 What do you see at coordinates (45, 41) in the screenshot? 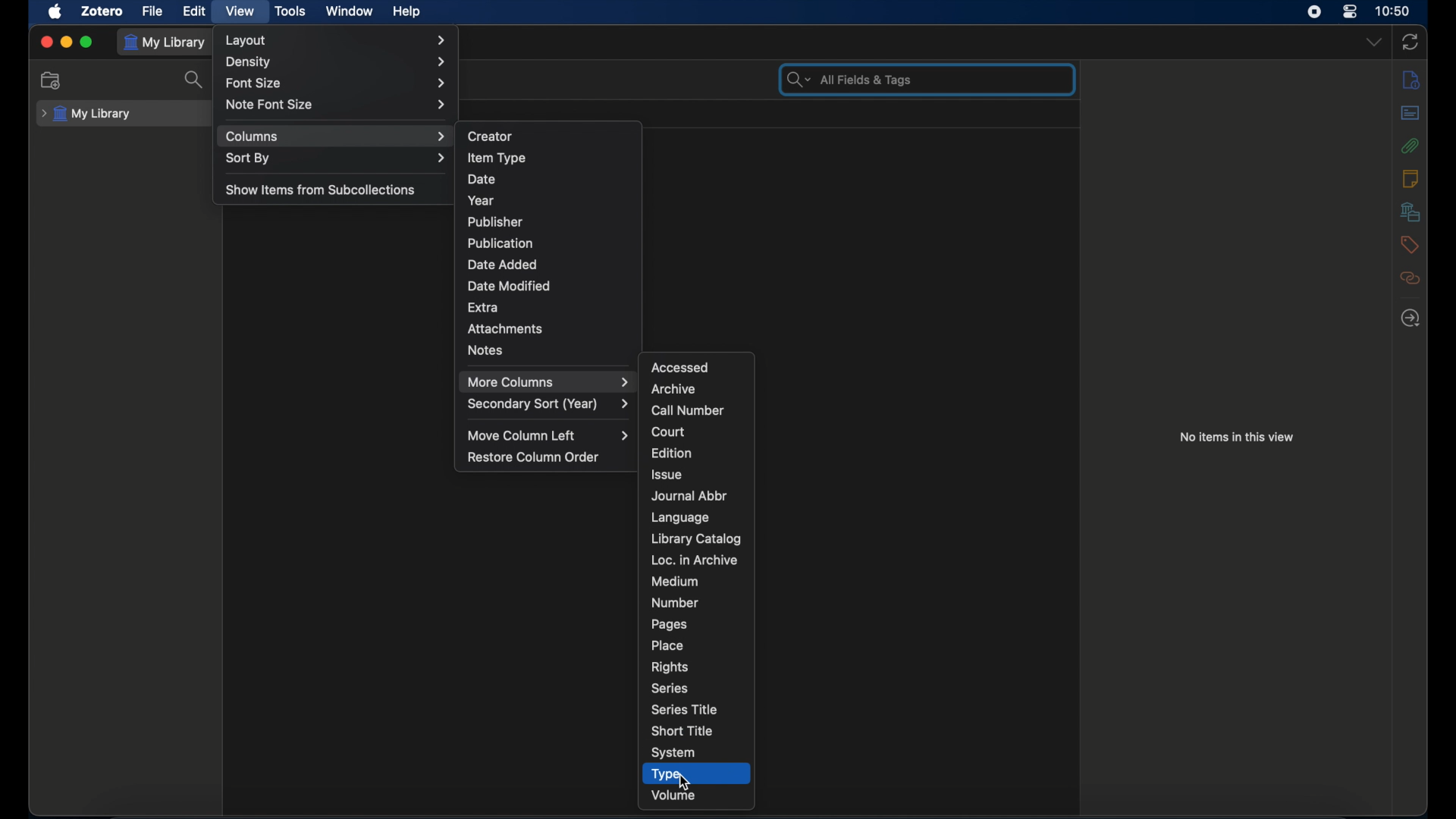
I see `close` at bounding box center [45, 41].